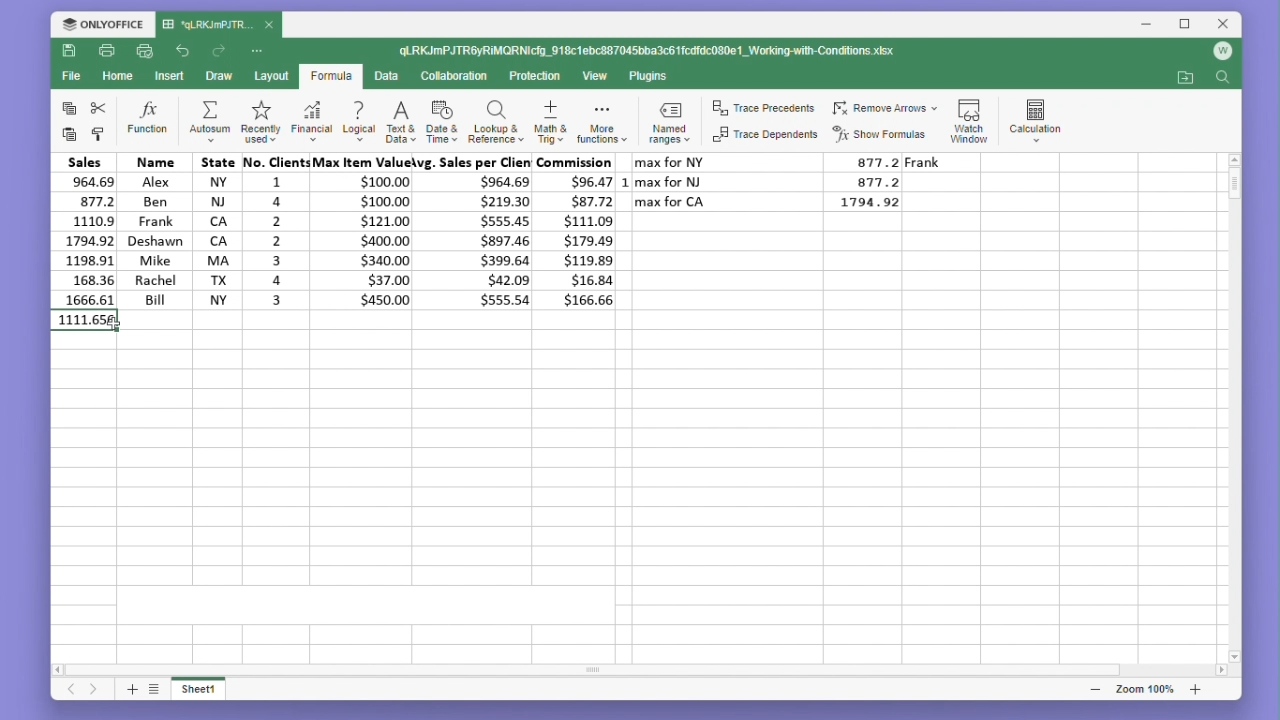  I want to click on Find, so click(1222, 80).